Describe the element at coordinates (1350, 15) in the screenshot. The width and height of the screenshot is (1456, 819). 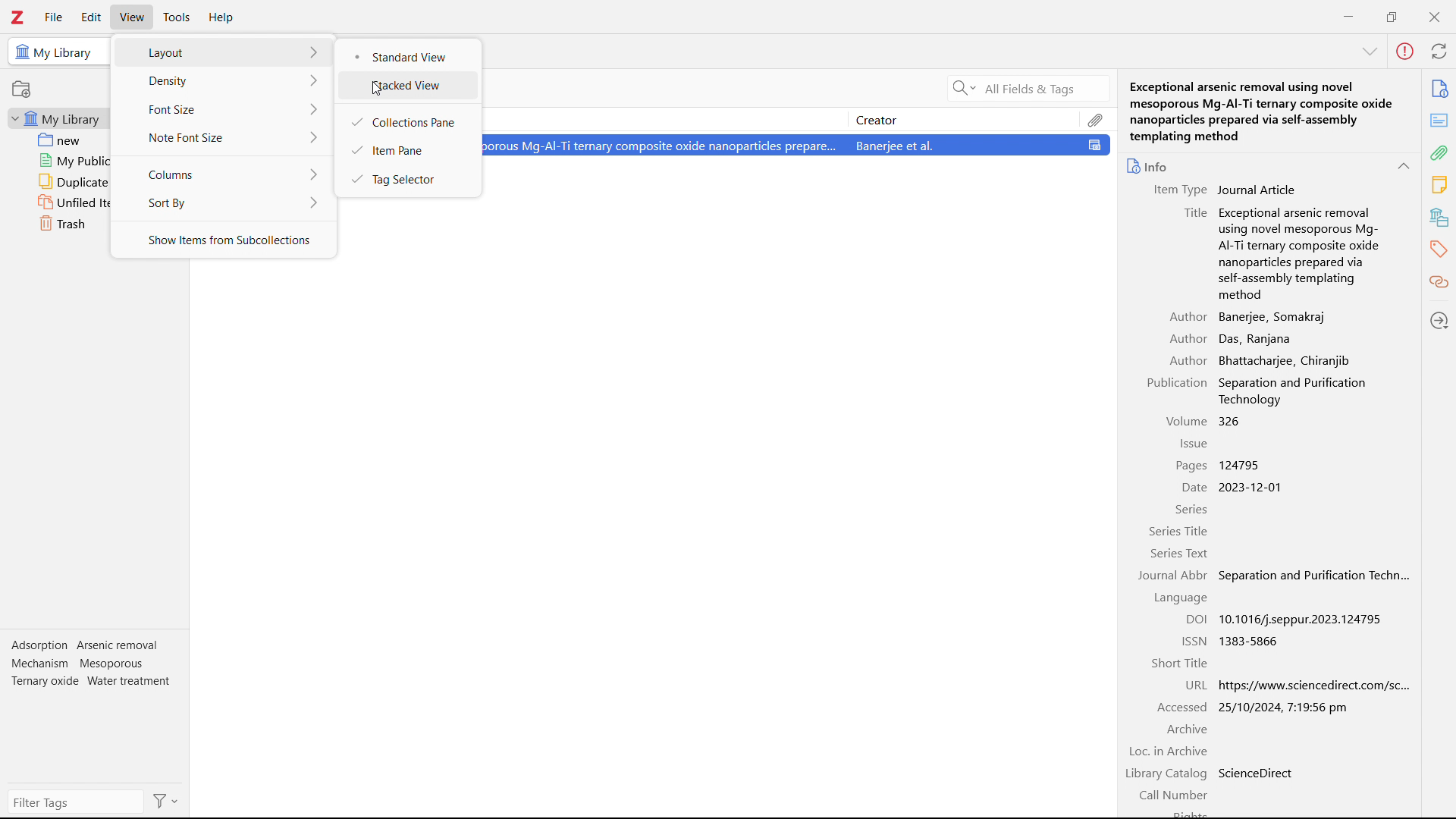
I see `minimize` at that location.